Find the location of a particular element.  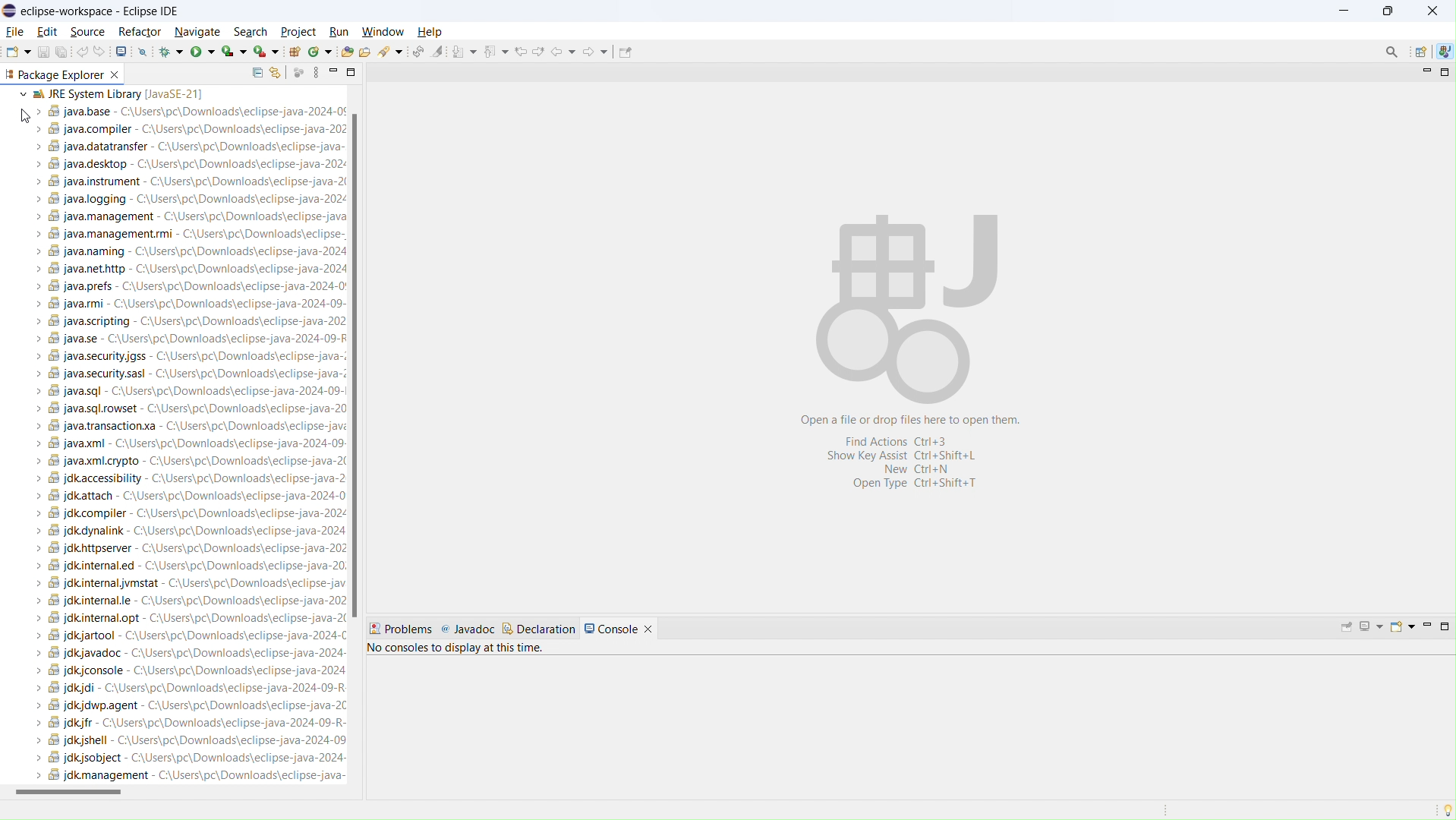

pin editor is located at coordinates (626, 52).